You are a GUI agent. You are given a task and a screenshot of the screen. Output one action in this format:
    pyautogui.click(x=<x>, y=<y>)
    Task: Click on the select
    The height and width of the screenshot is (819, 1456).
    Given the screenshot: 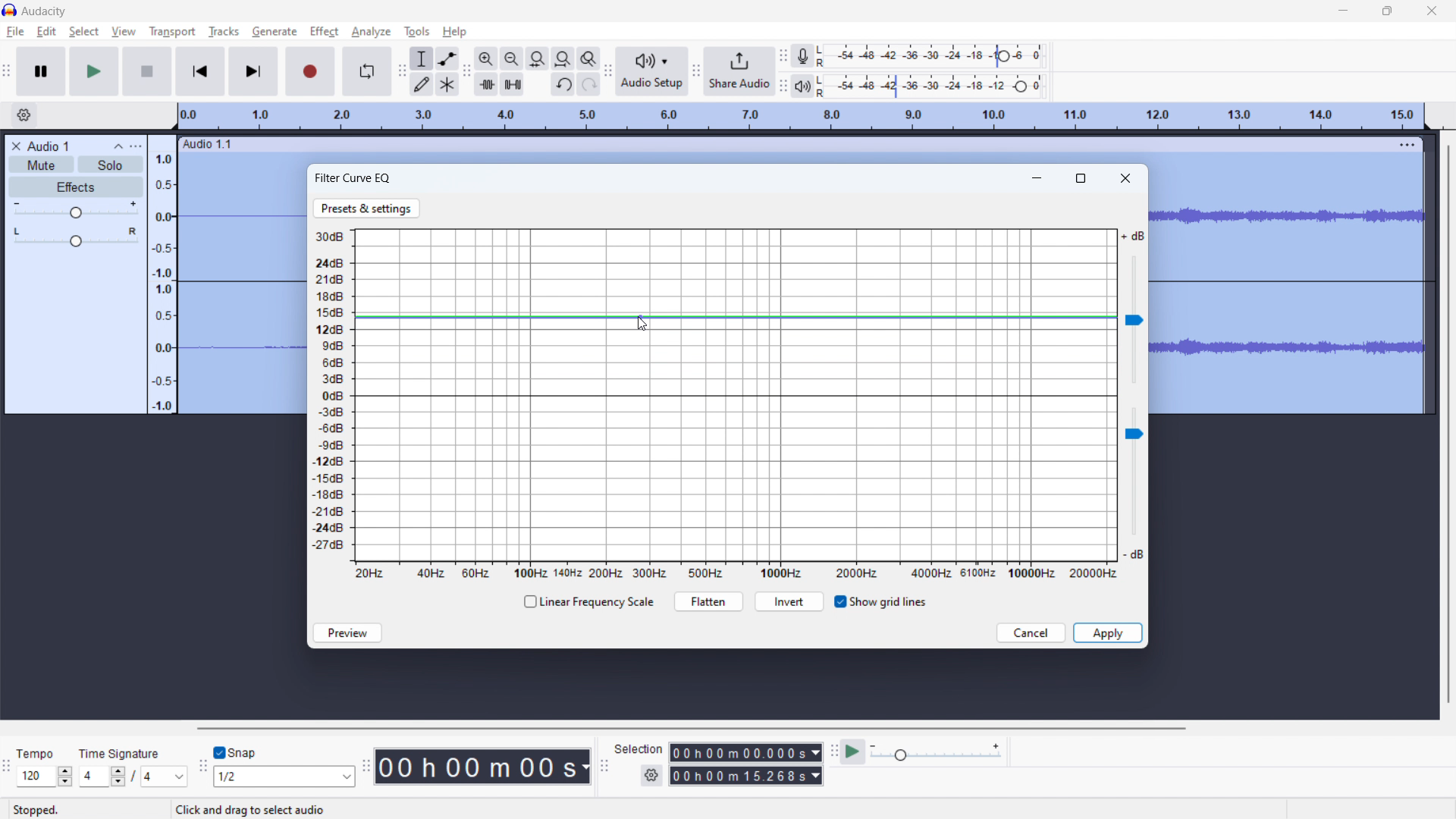 What is the action you would take?
    pyautogui.click(x=83, y=32)
    